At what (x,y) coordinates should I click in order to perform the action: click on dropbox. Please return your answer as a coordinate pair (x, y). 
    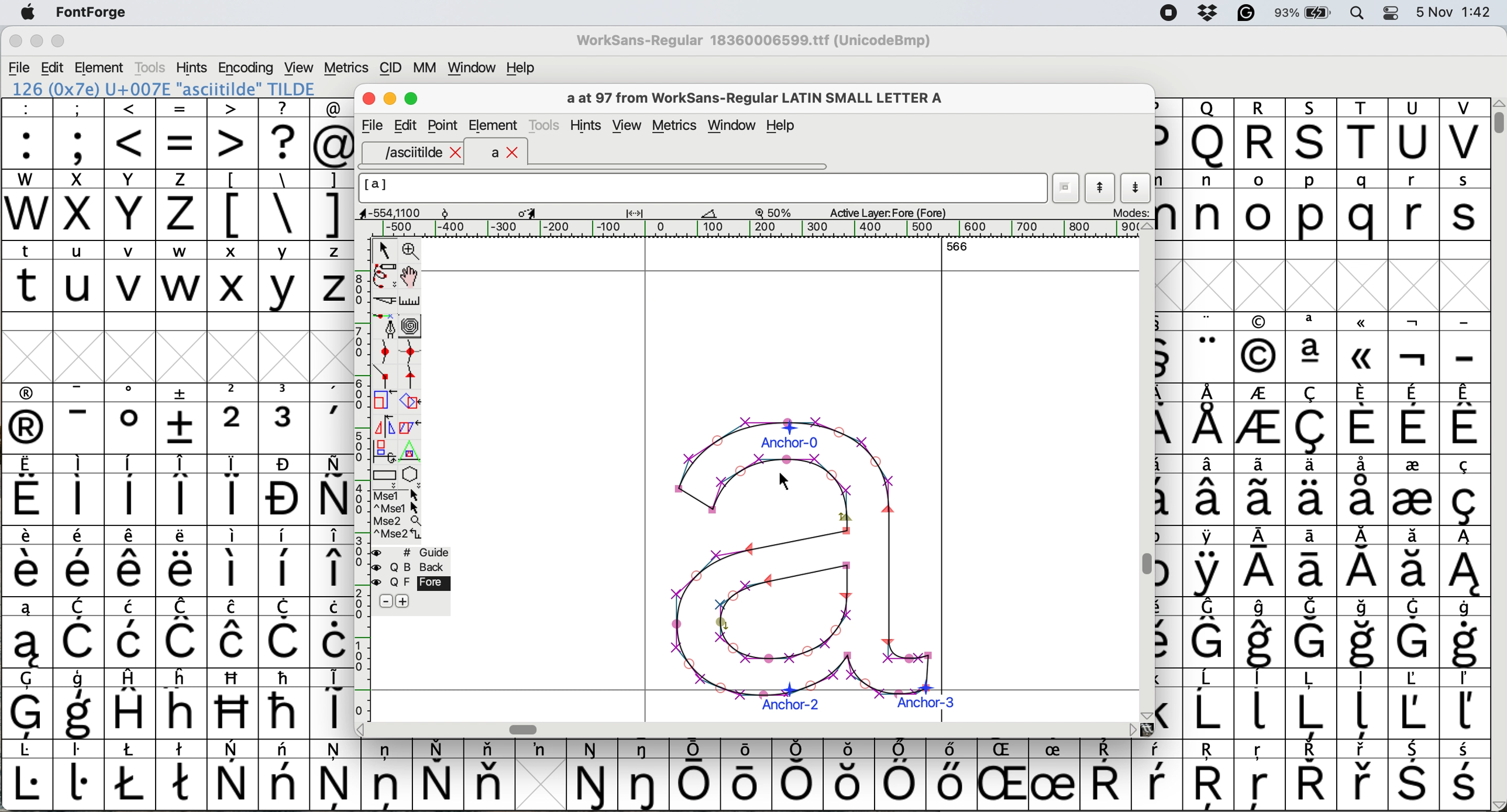
    Looking at the image, I should click on (1204, 13).